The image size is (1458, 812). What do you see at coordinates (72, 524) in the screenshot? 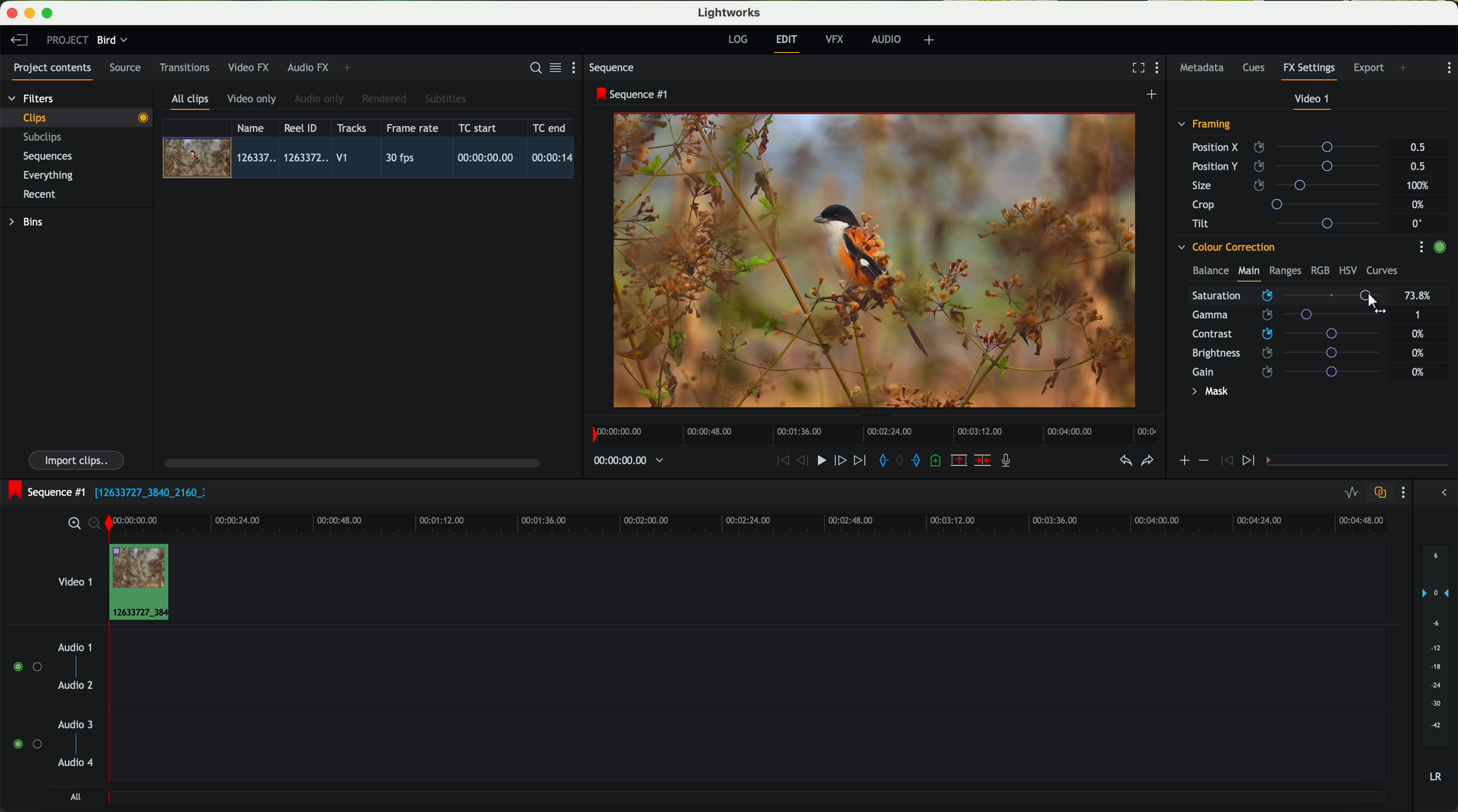
I see `zoom in` at bounding box center [72, 524].